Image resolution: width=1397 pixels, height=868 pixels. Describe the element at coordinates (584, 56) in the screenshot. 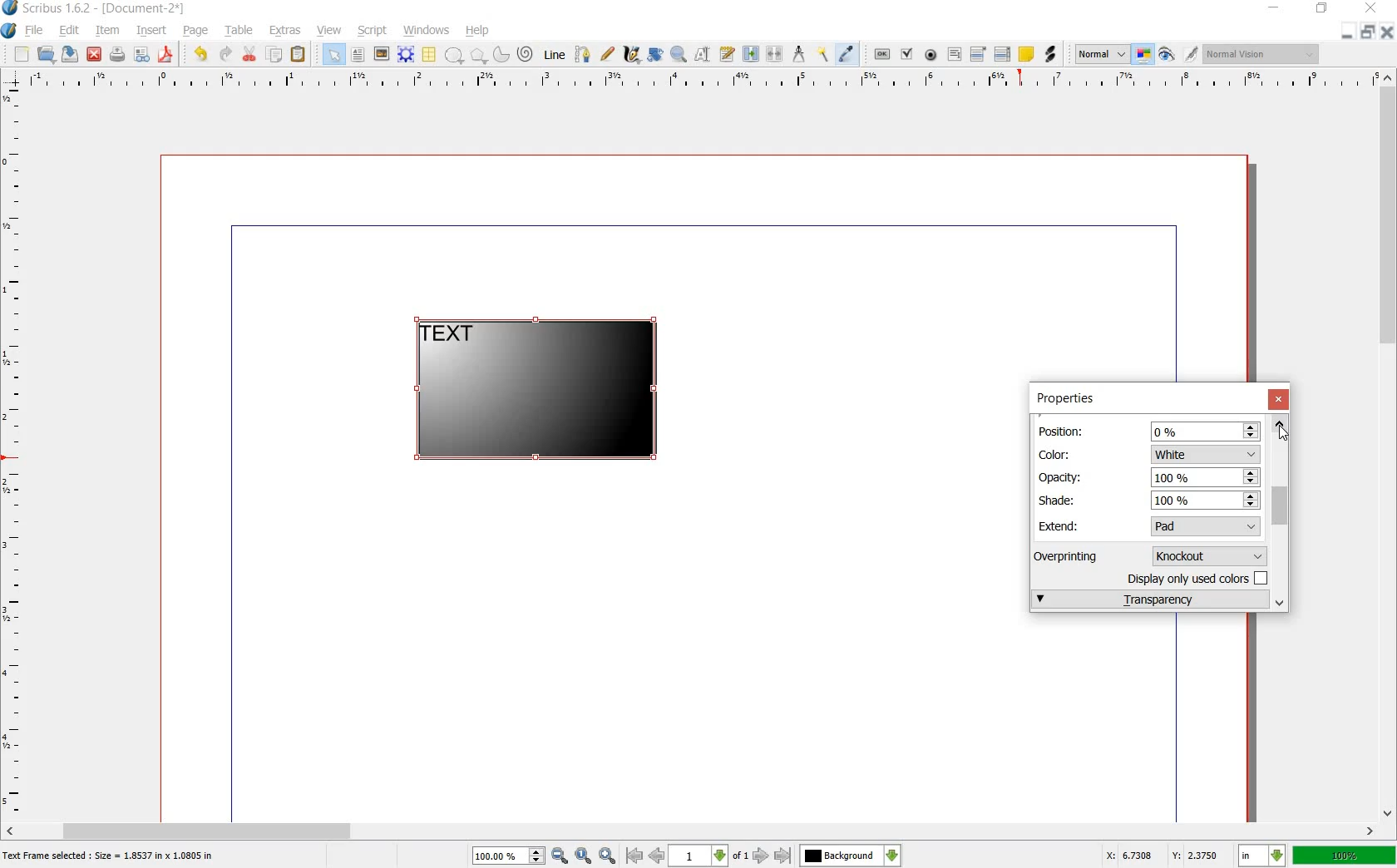

I see `bezier curve` at that location.